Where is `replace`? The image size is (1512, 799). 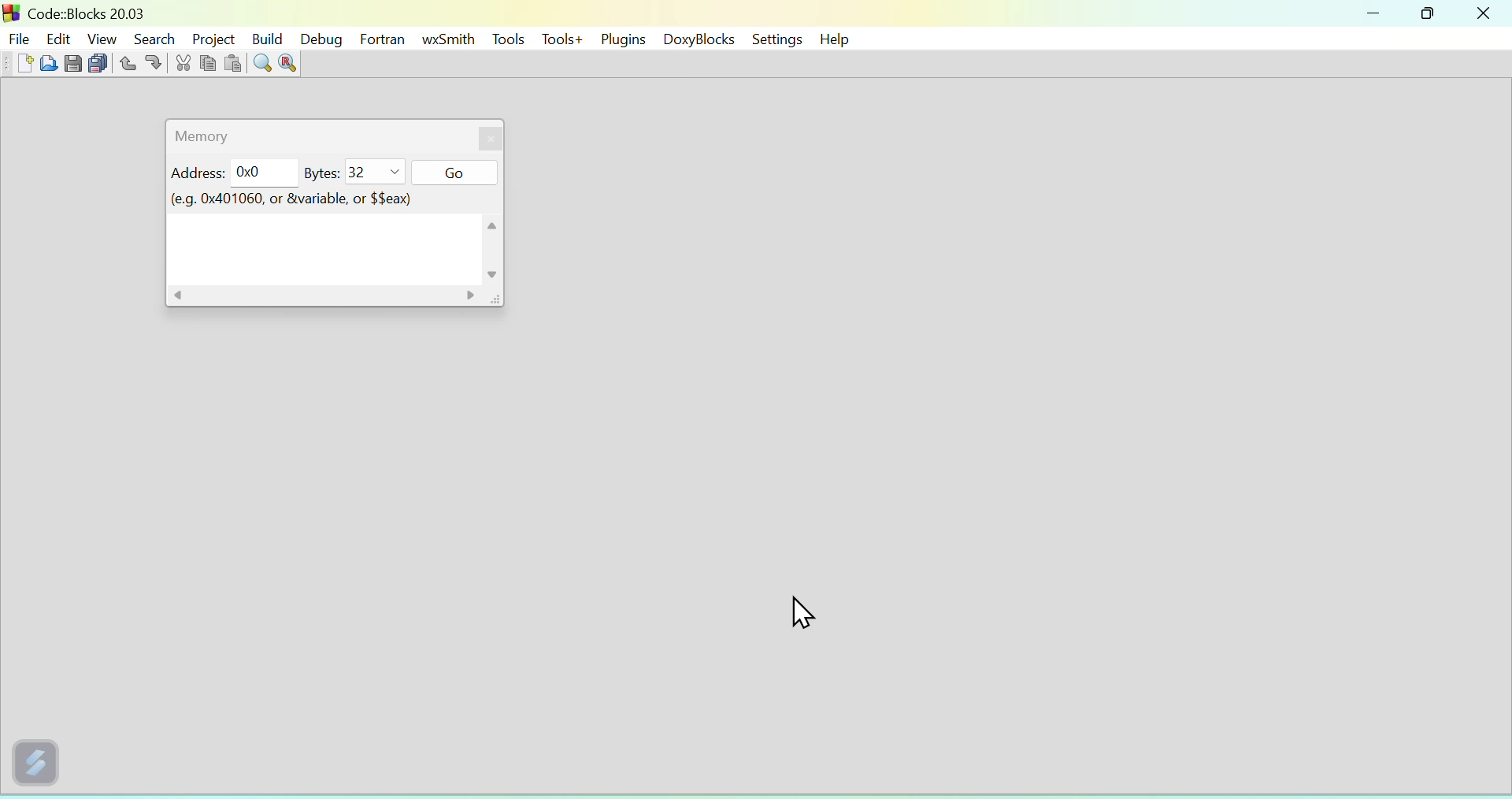 replace is located at coordinates (287, 64).